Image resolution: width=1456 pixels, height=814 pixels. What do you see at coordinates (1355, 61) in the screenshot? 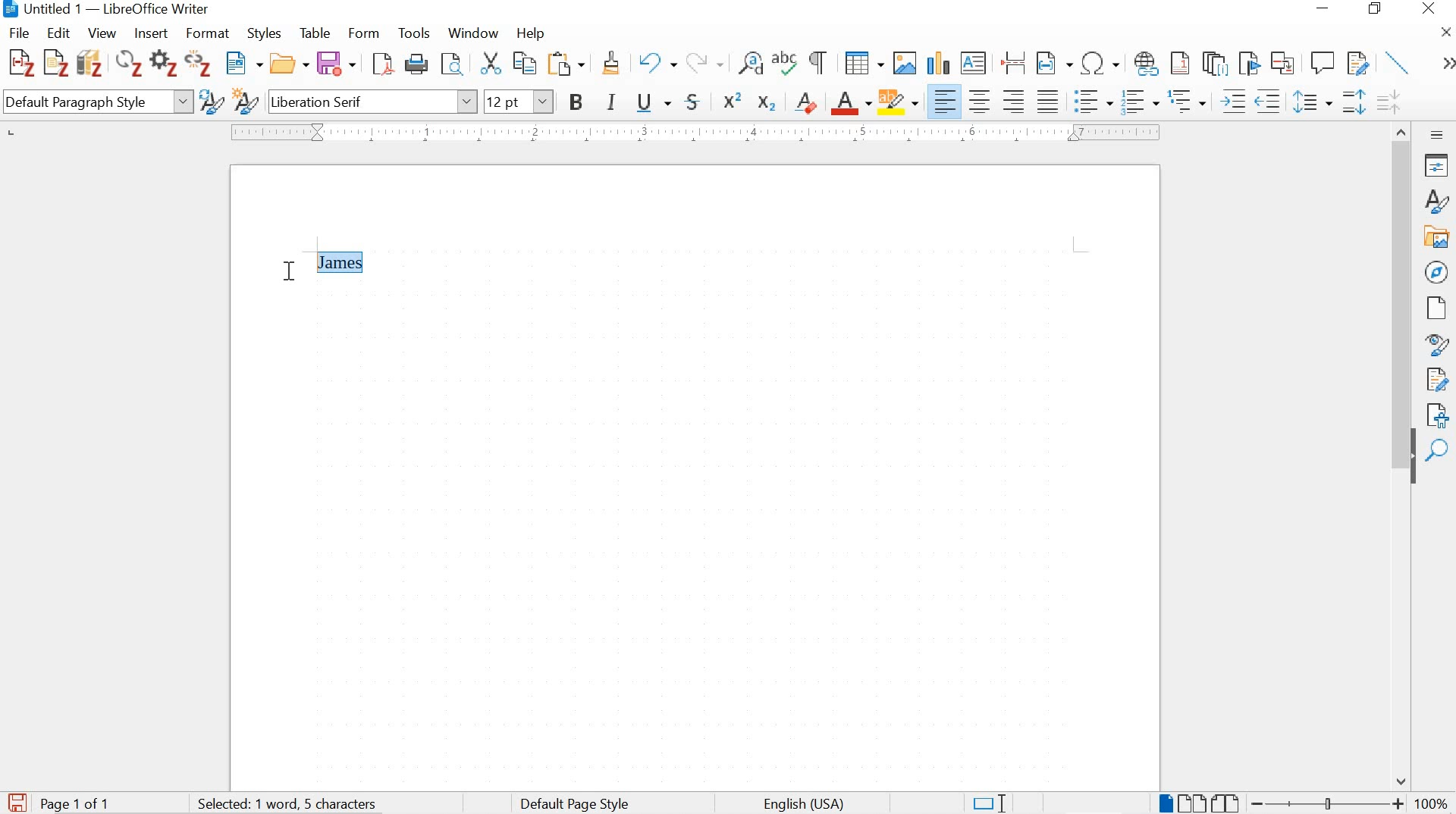
I see `track changes function` at bounding box center [1355, 61].